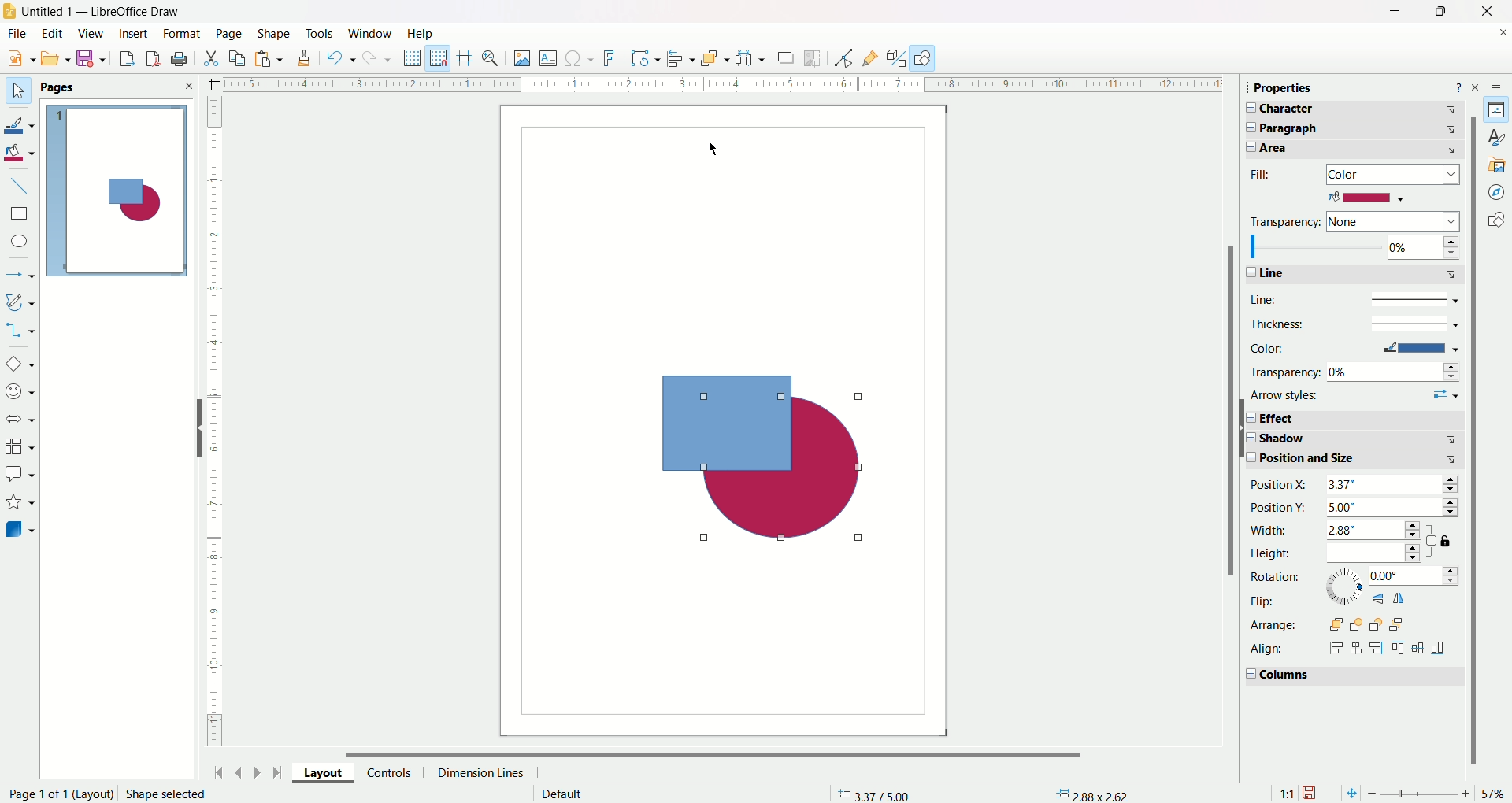  I want to click on to last page, so click(276, 774).